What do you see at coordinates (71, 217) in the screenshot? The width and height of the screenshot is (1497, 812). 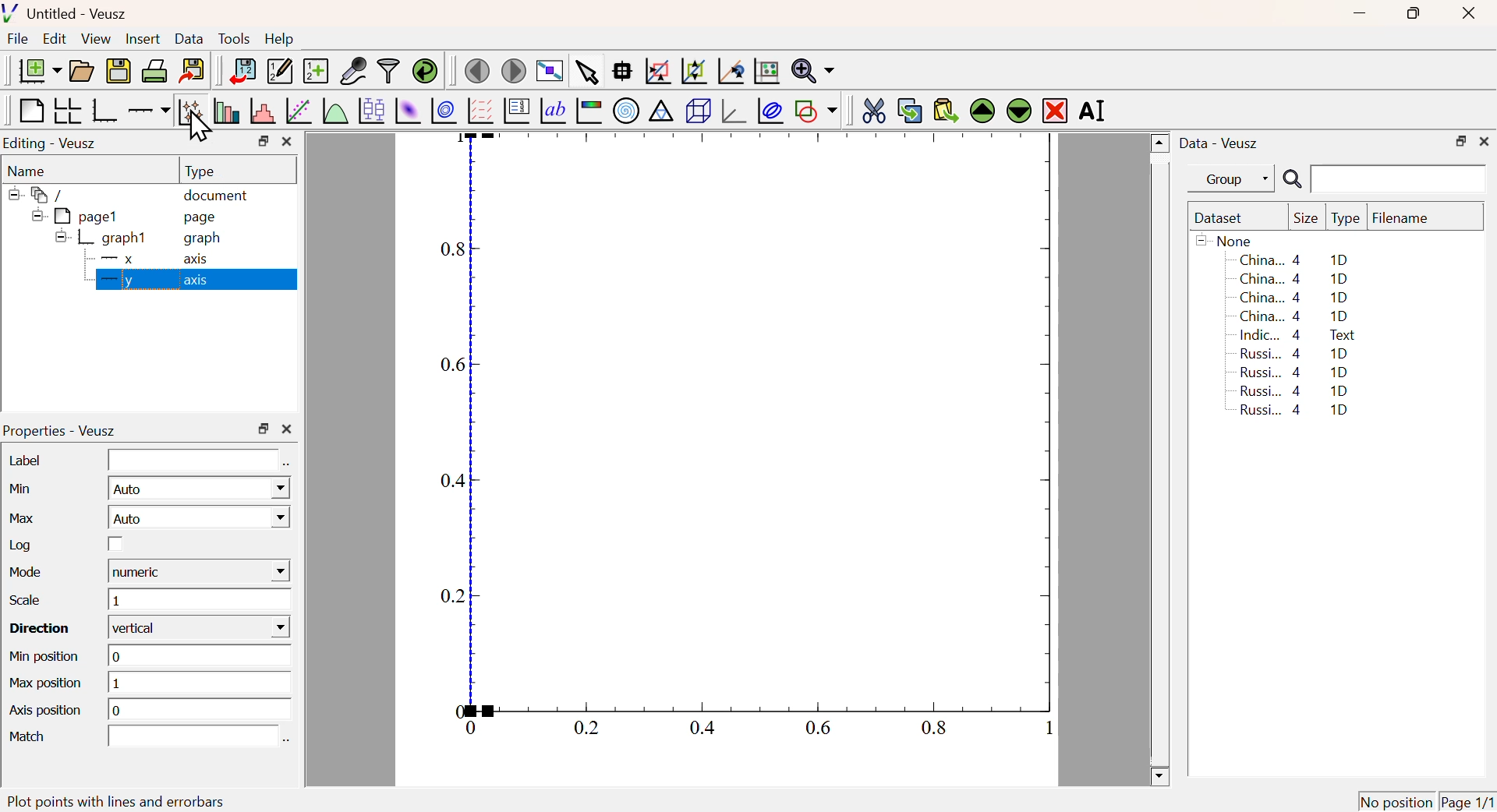 I see `pagel` at bounding box center [71, 217].